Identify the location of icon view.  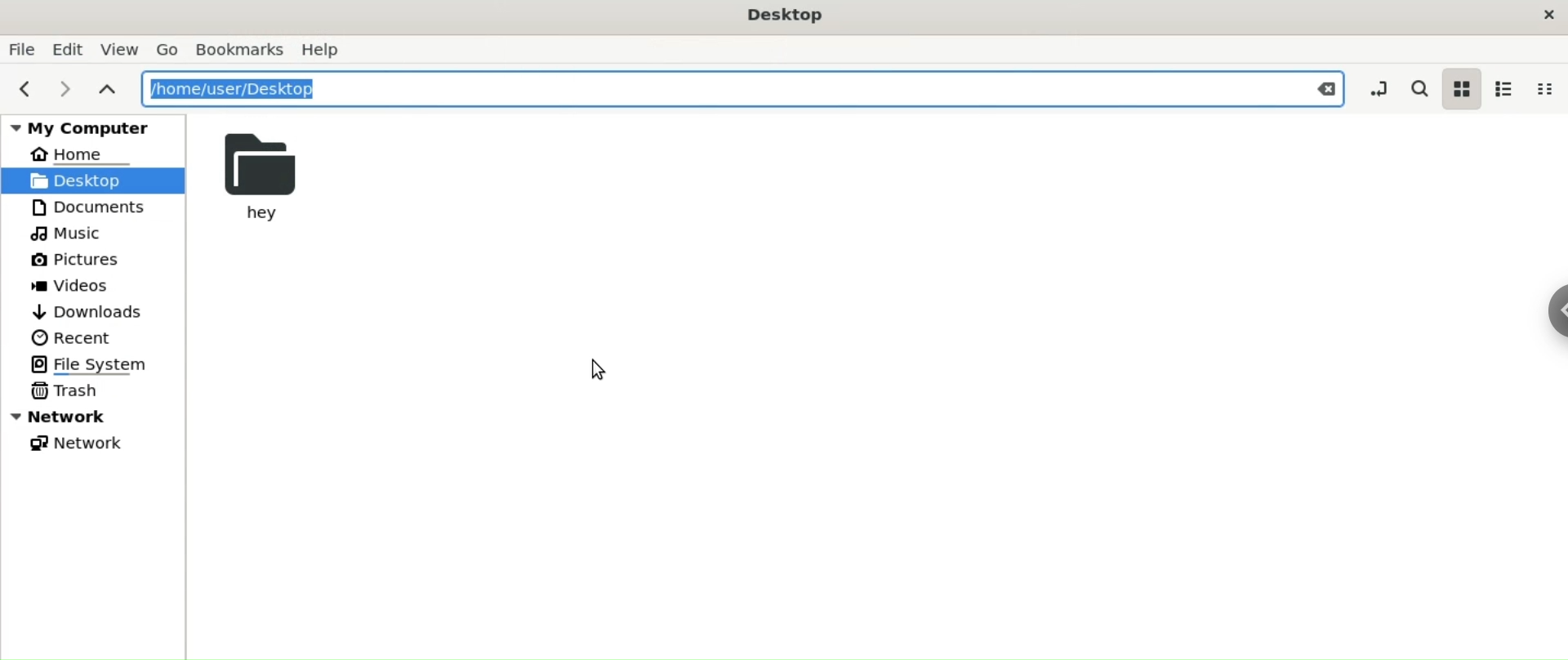
(1462, 91).